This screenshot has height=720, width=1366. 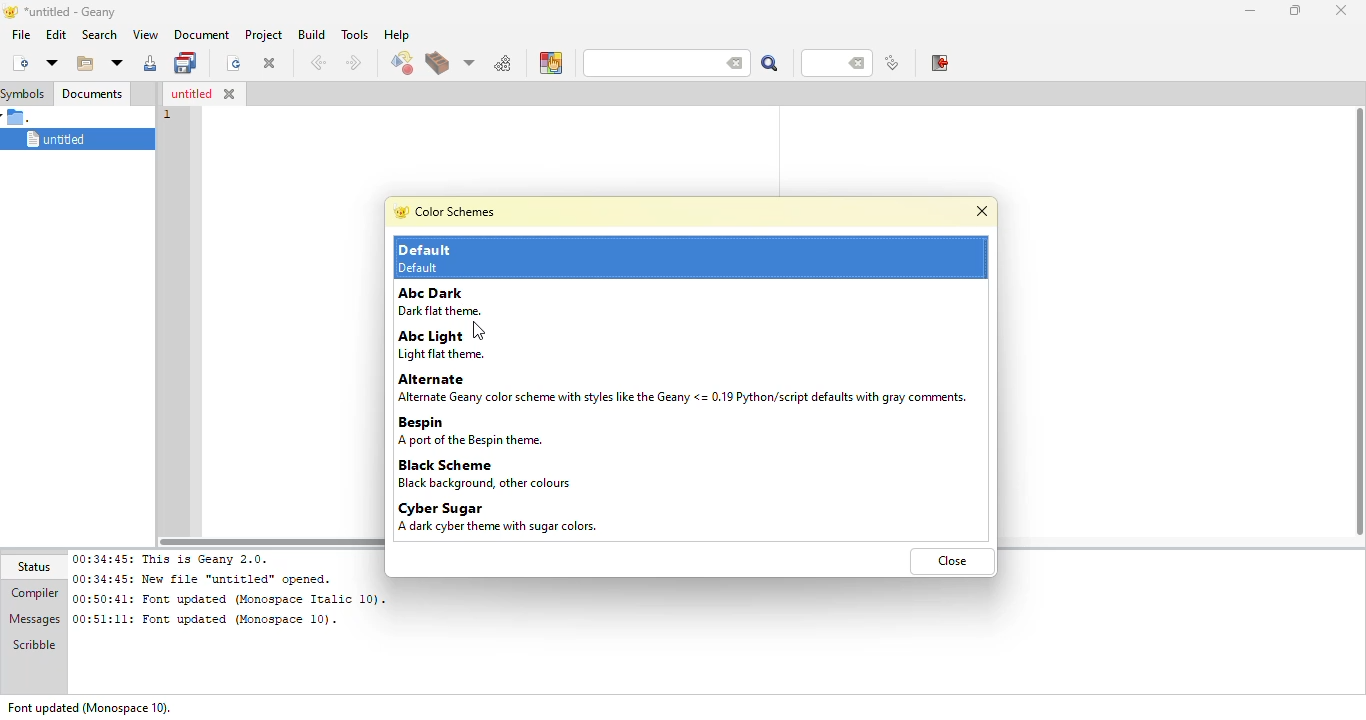 What do you see at coordinates (230, 63) in the screenshot?
I see `reload` at bounding box center [230, 63].